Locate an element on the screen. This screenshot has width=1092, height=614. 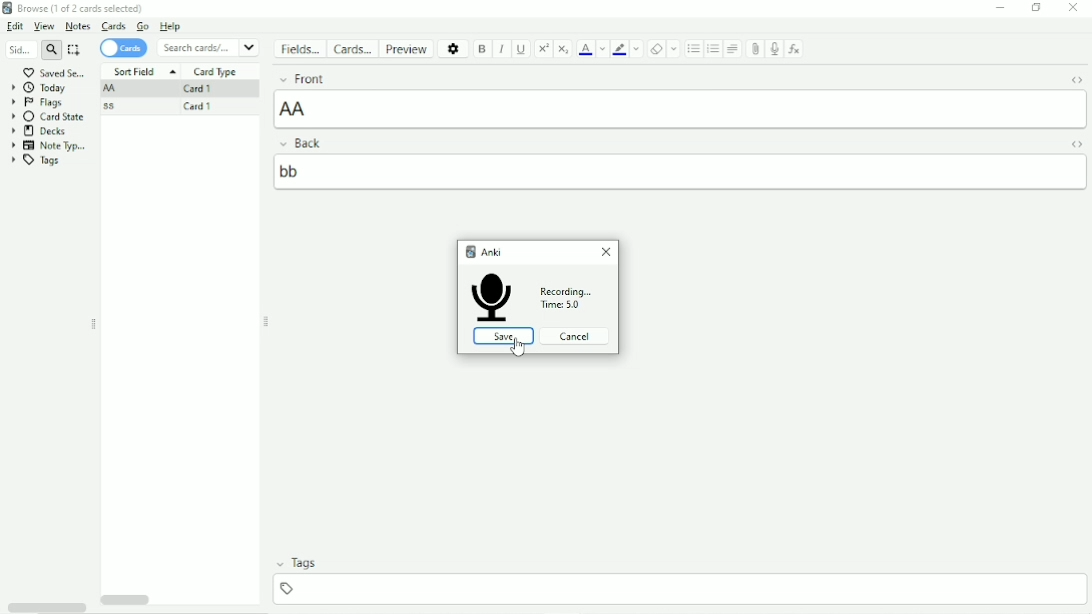
Resize is located at coordinates (267, 322).